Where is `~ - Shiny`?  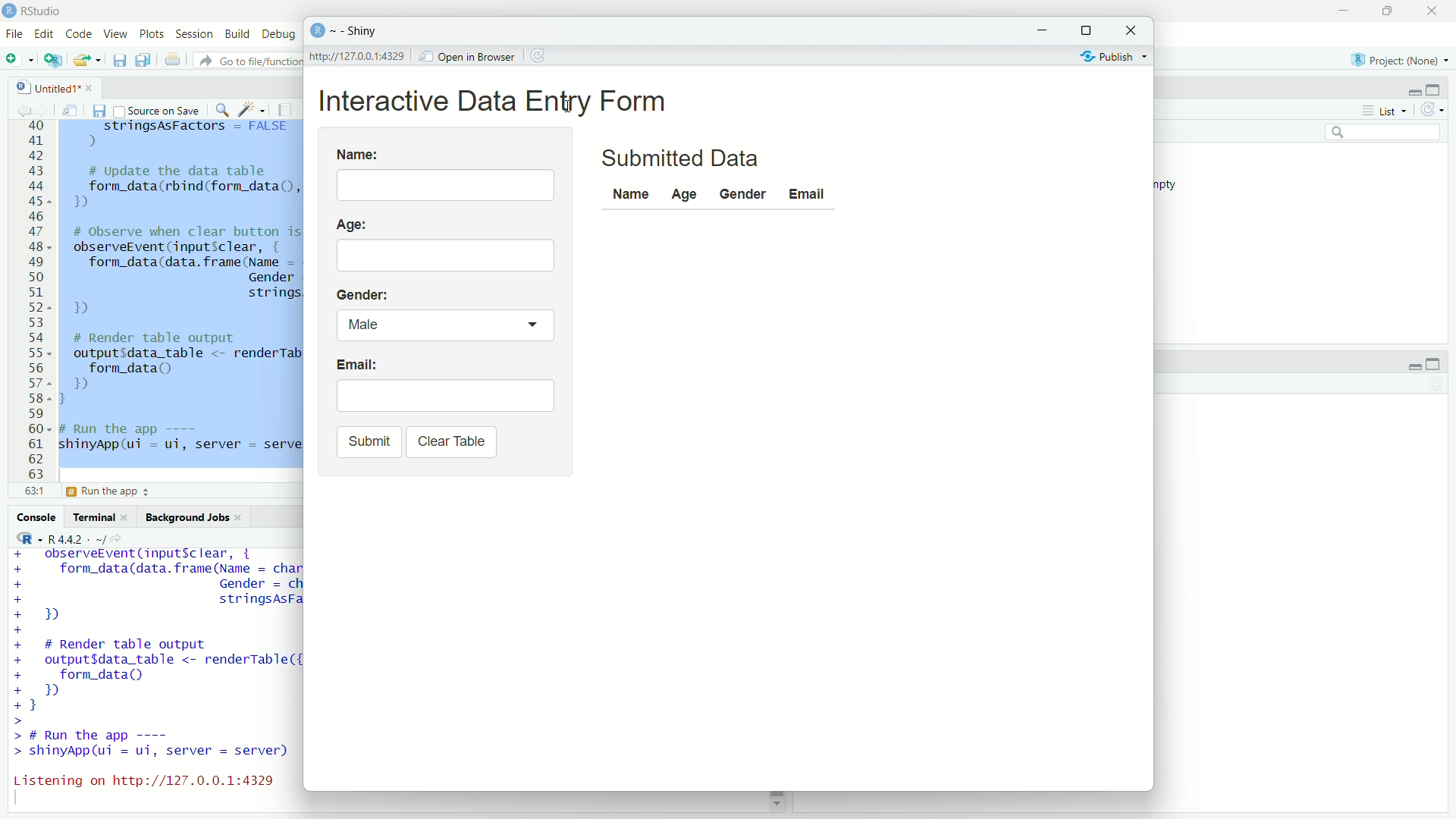
~ - Shiny is located at coordinates (355, 32).